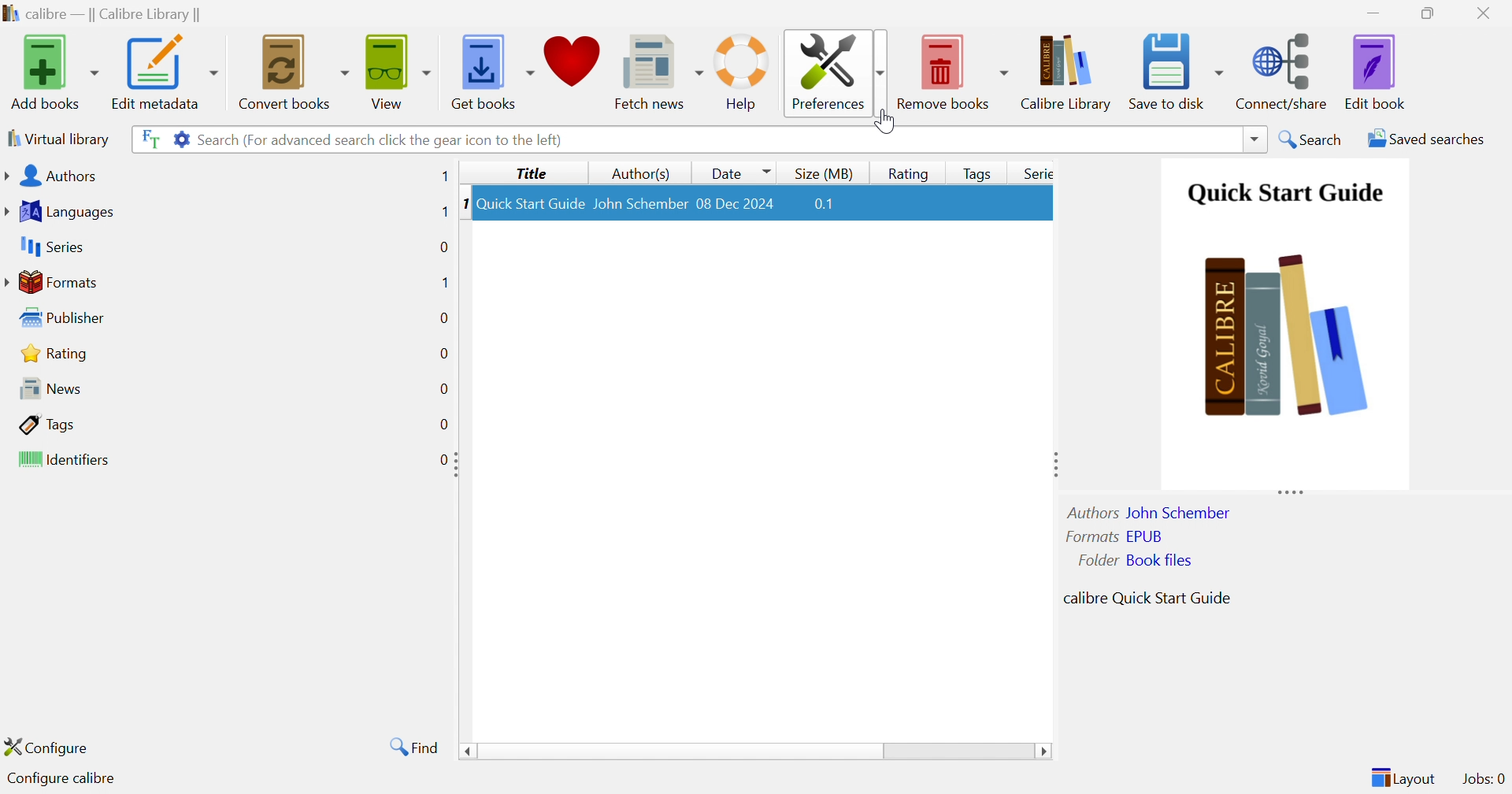 The height and width of the screenshot is (794, 1512). Describe the element at coordinates (57, 779) in the screenshot. I see `Configure calibre` at that location.